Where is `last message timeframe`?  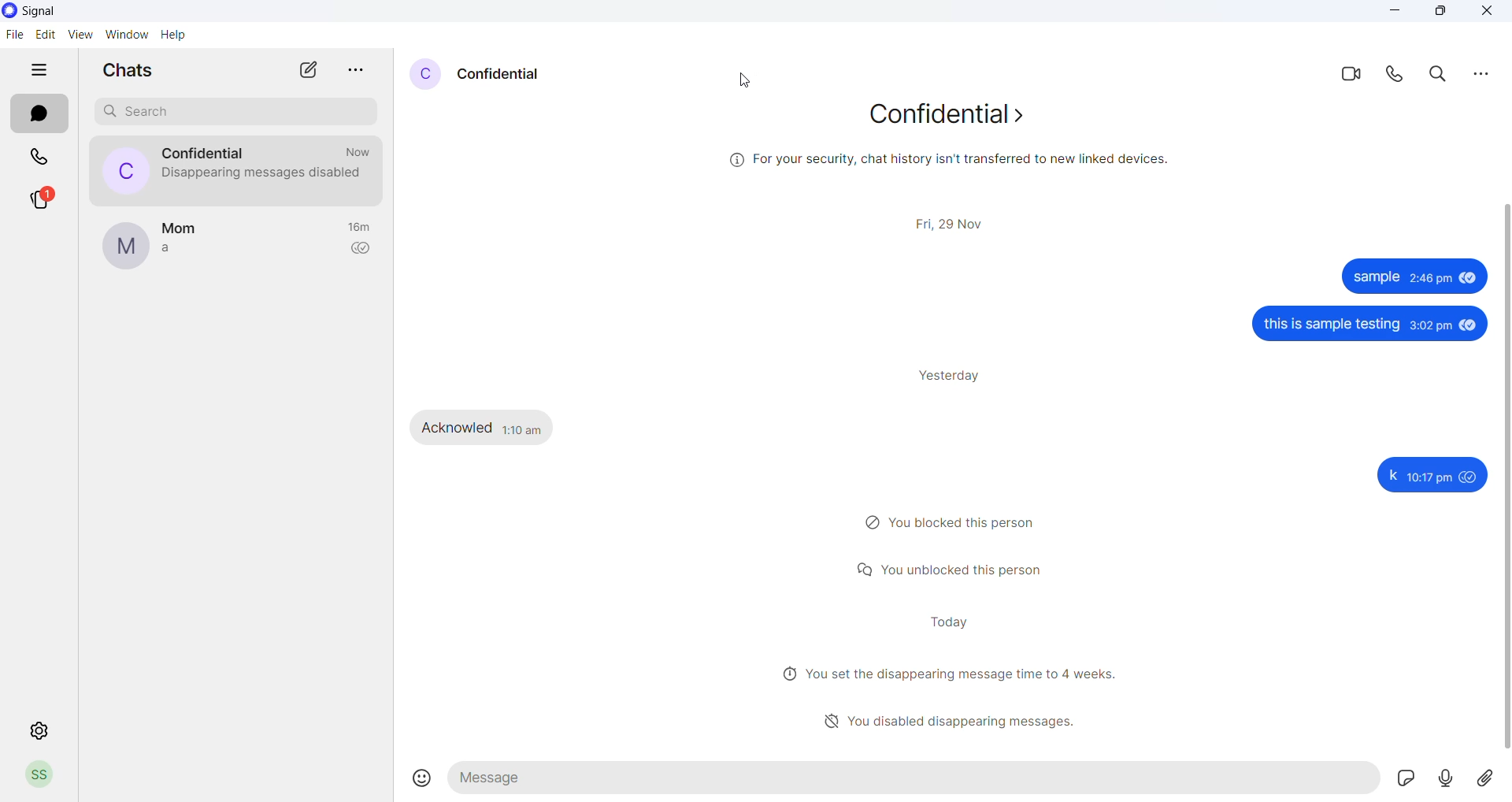 last message timeframe is located at coordinates (358, 152).